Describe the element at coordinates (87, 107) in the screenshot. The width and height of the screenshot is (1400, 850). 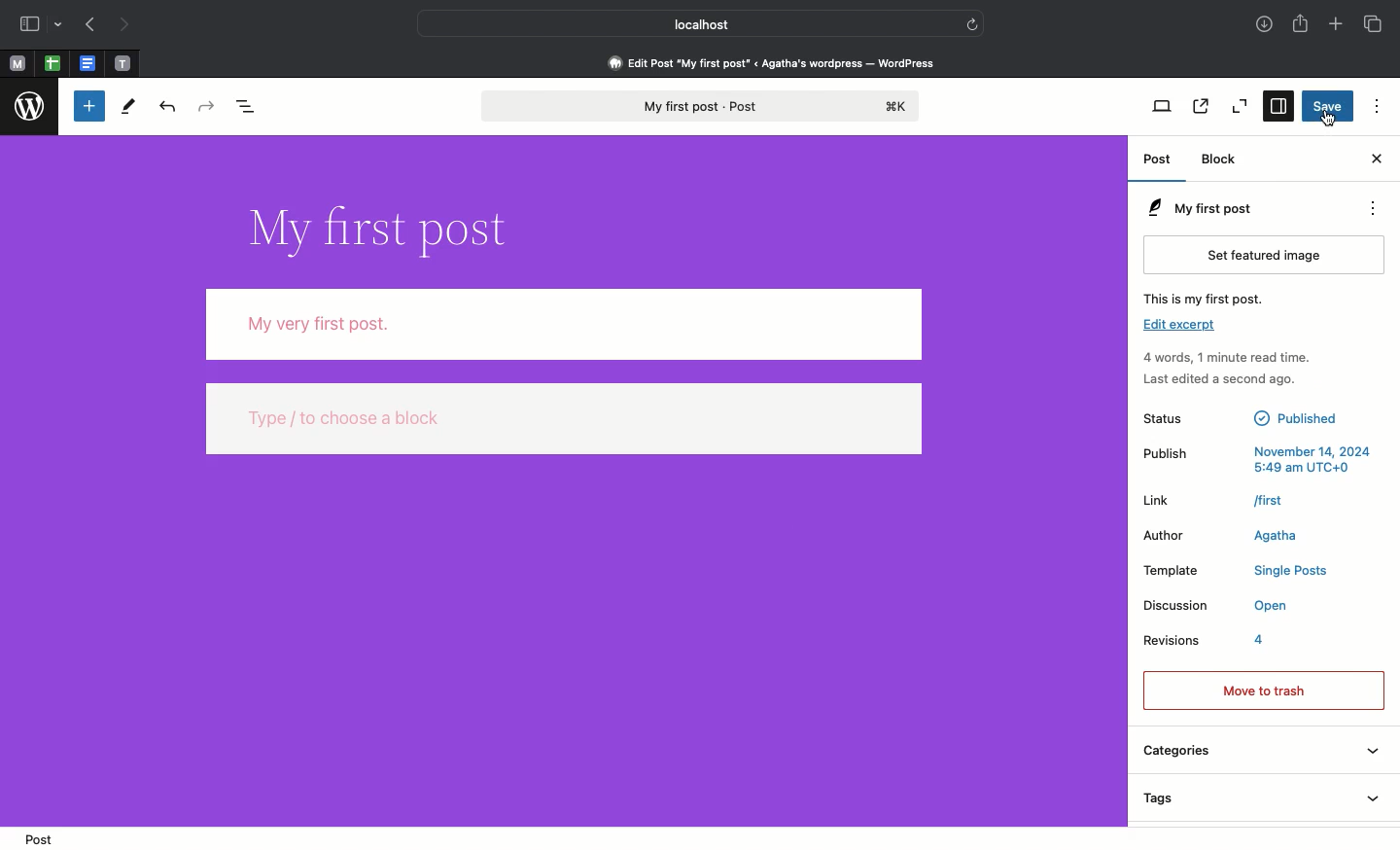
I see `Toggle block` at that location.